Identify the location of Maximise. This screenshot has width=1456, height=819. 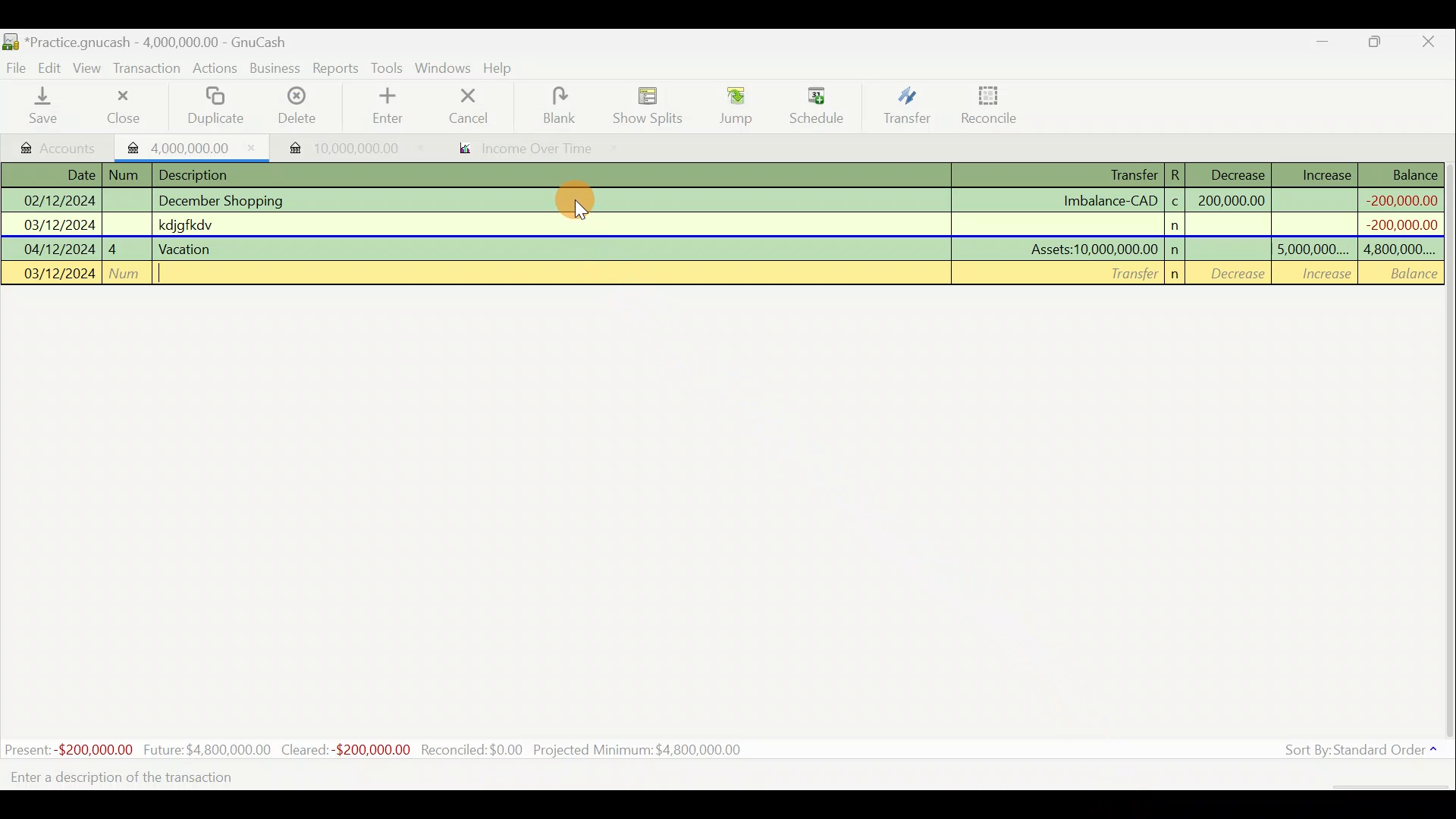
(1376, 44).